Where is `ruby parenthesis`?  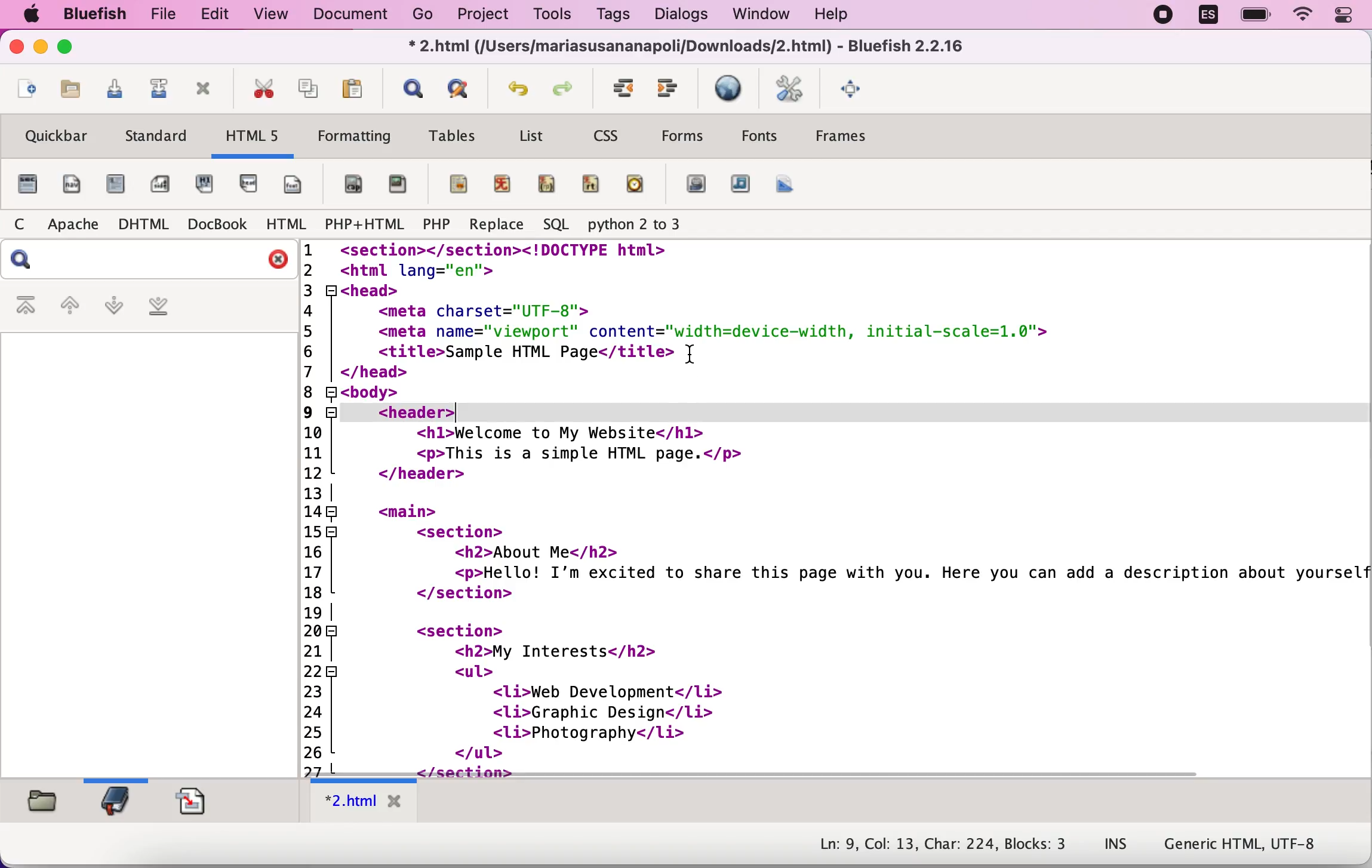
ruby parenthesis is located at coordinates (548, 181).